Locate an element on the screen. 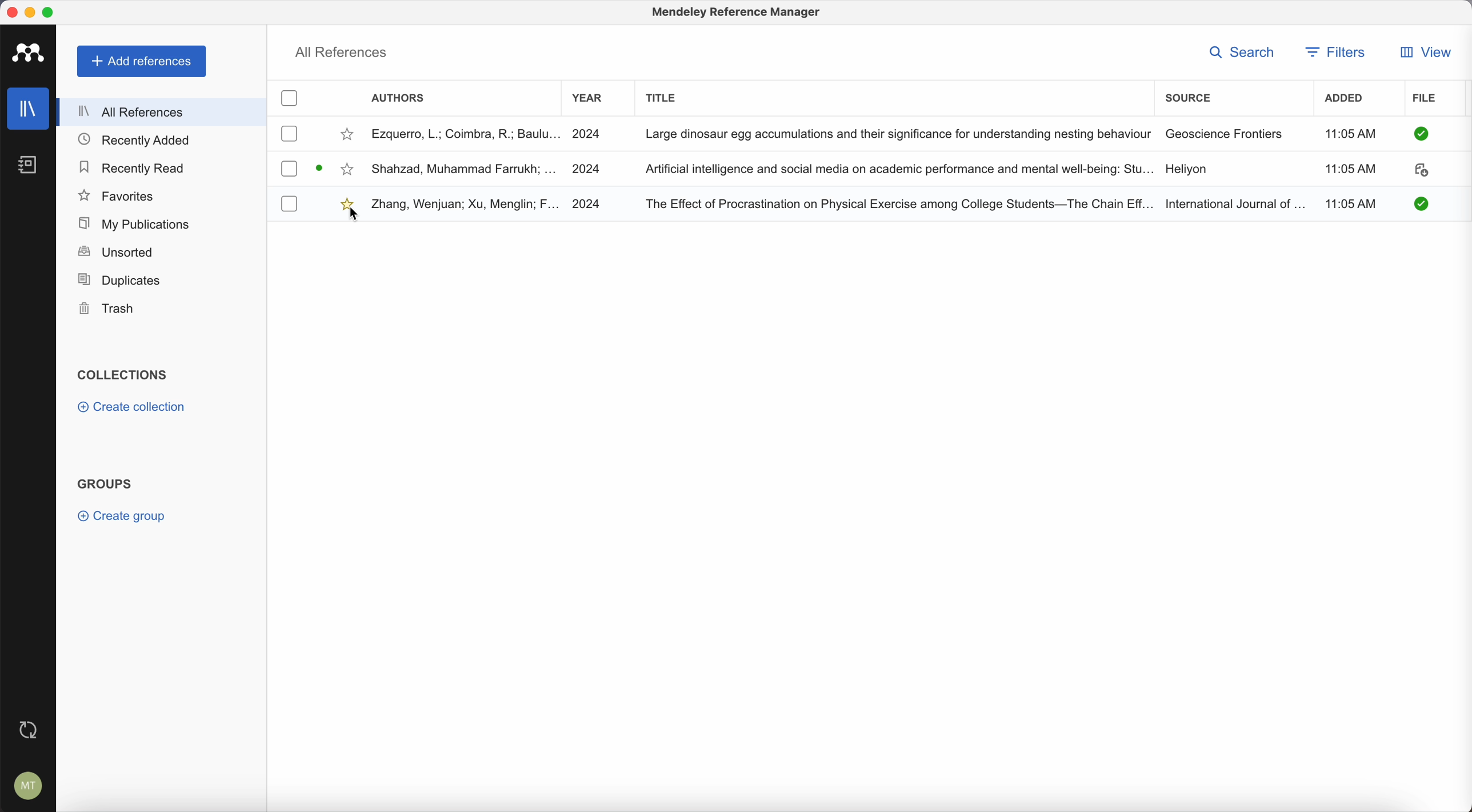 The image size is (1472, 812). minimize program is located at coordinates (30, 11).